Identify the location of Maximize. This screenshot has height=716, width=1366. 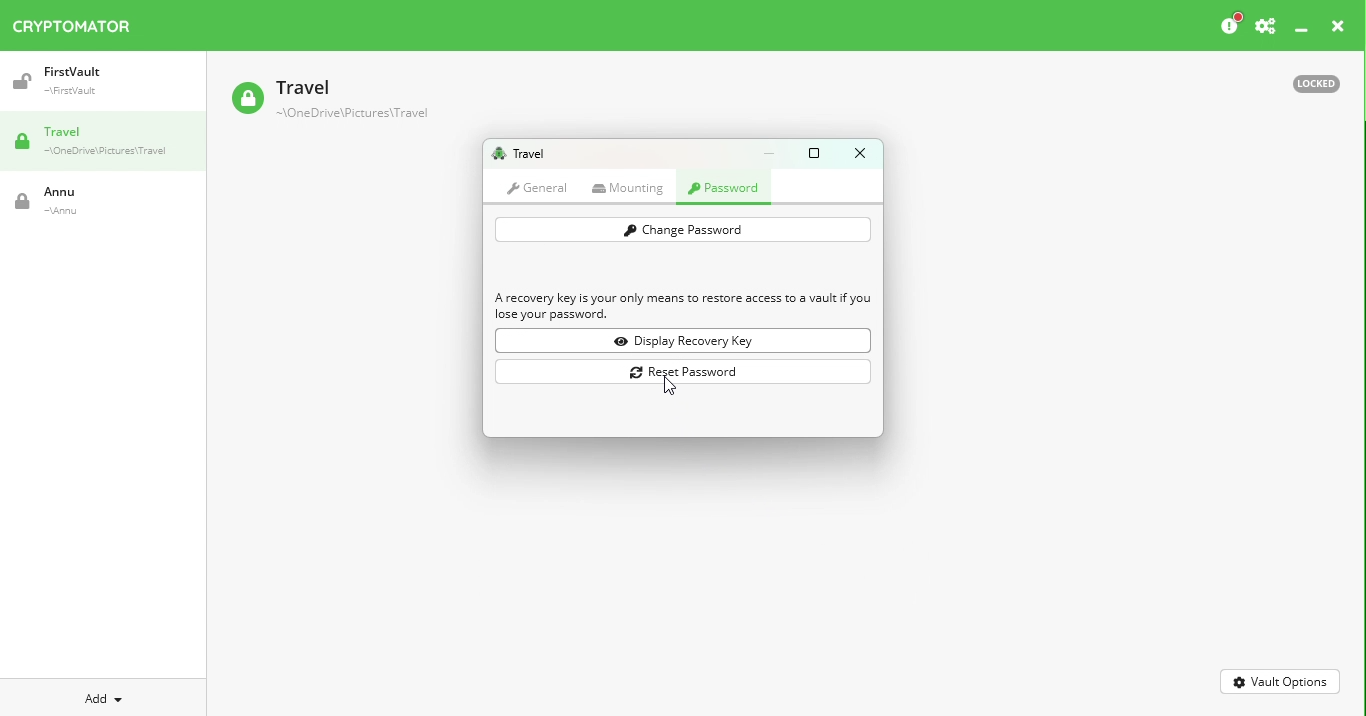
(818, 152).